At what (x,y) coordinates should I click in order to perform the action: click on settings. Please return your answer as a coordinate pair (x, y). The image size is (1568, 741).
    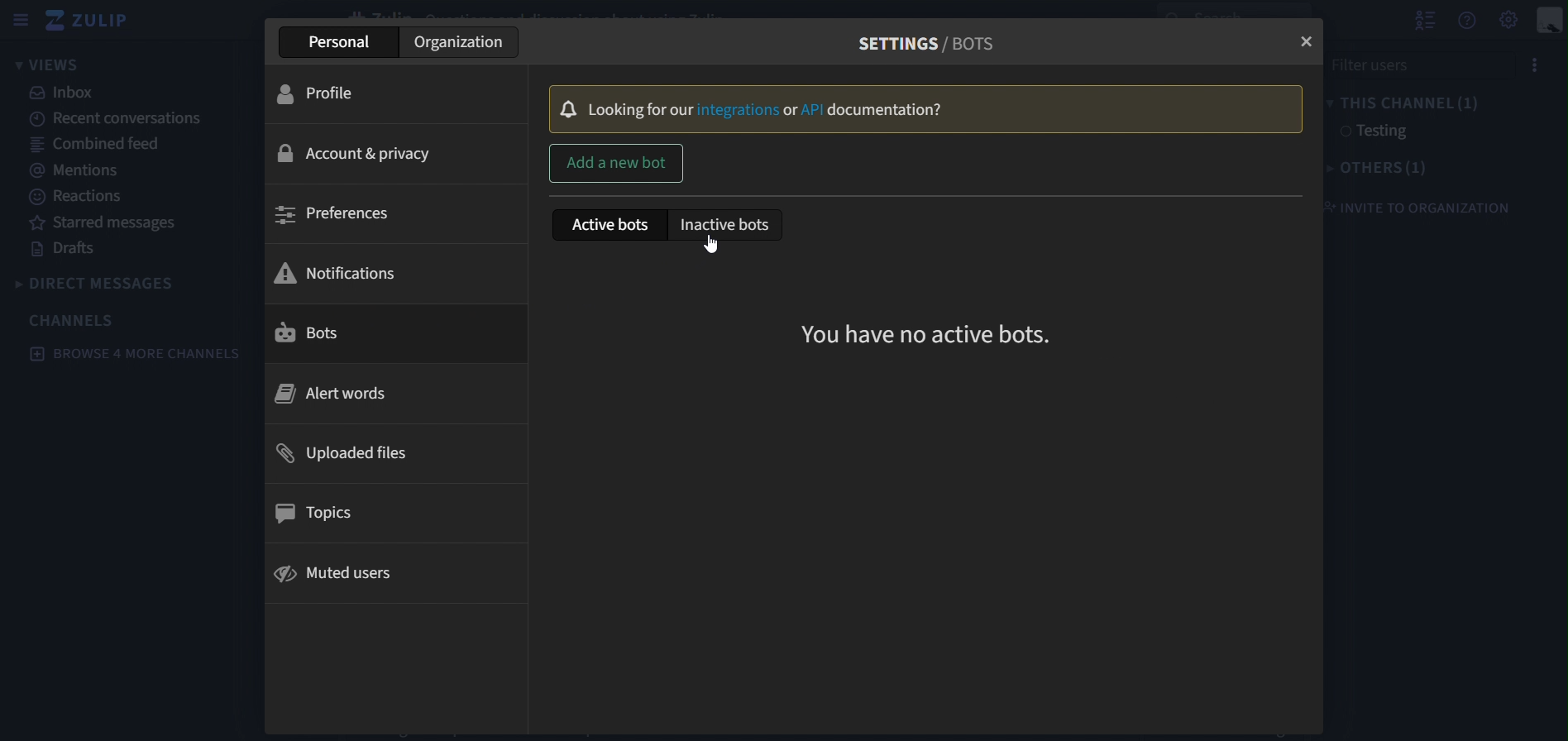
    Looking at the image, I should click on (1510, 18).